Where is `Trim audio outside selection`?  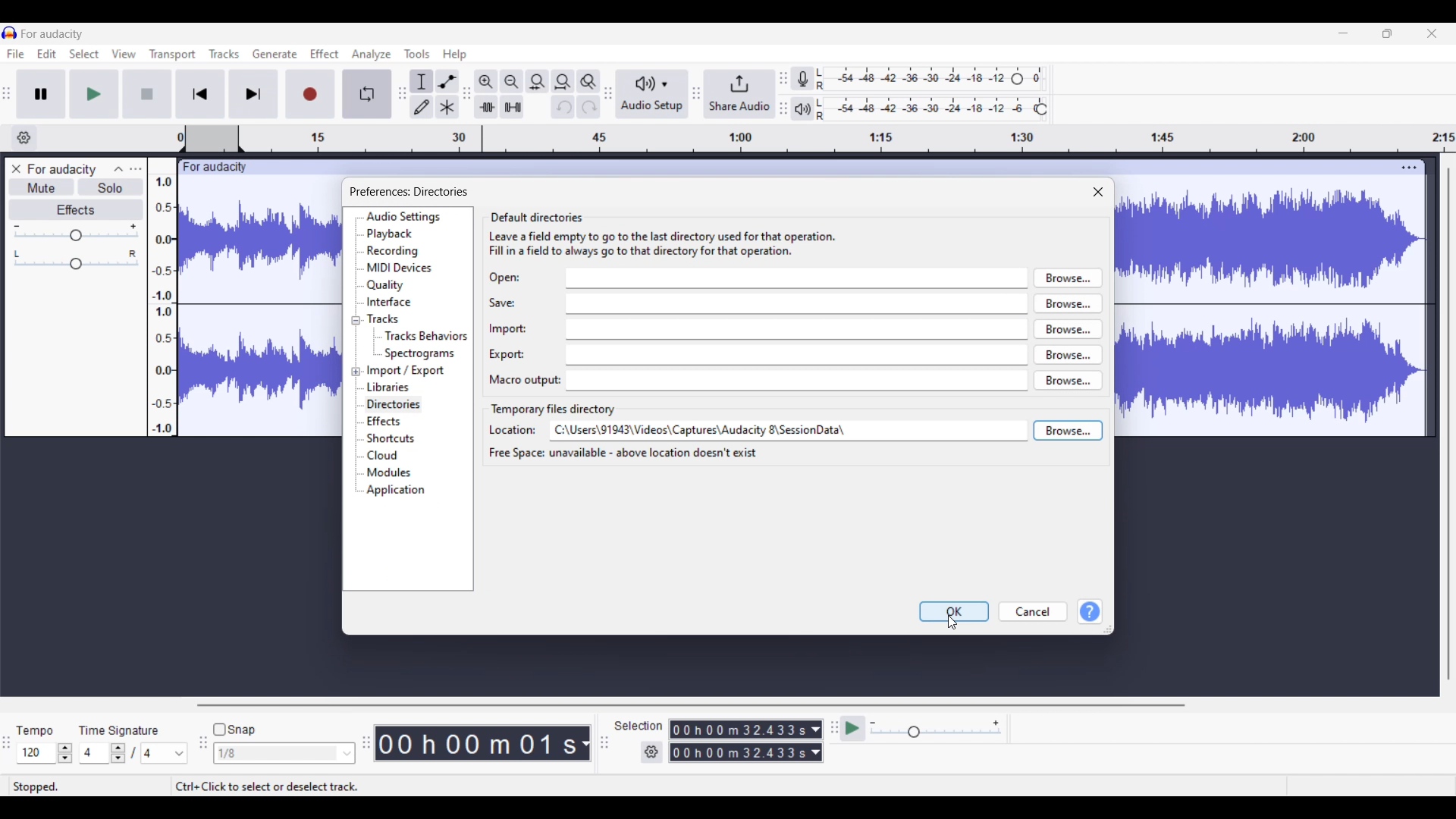 Trim audio outside selection is located at coordinates (486, 106).